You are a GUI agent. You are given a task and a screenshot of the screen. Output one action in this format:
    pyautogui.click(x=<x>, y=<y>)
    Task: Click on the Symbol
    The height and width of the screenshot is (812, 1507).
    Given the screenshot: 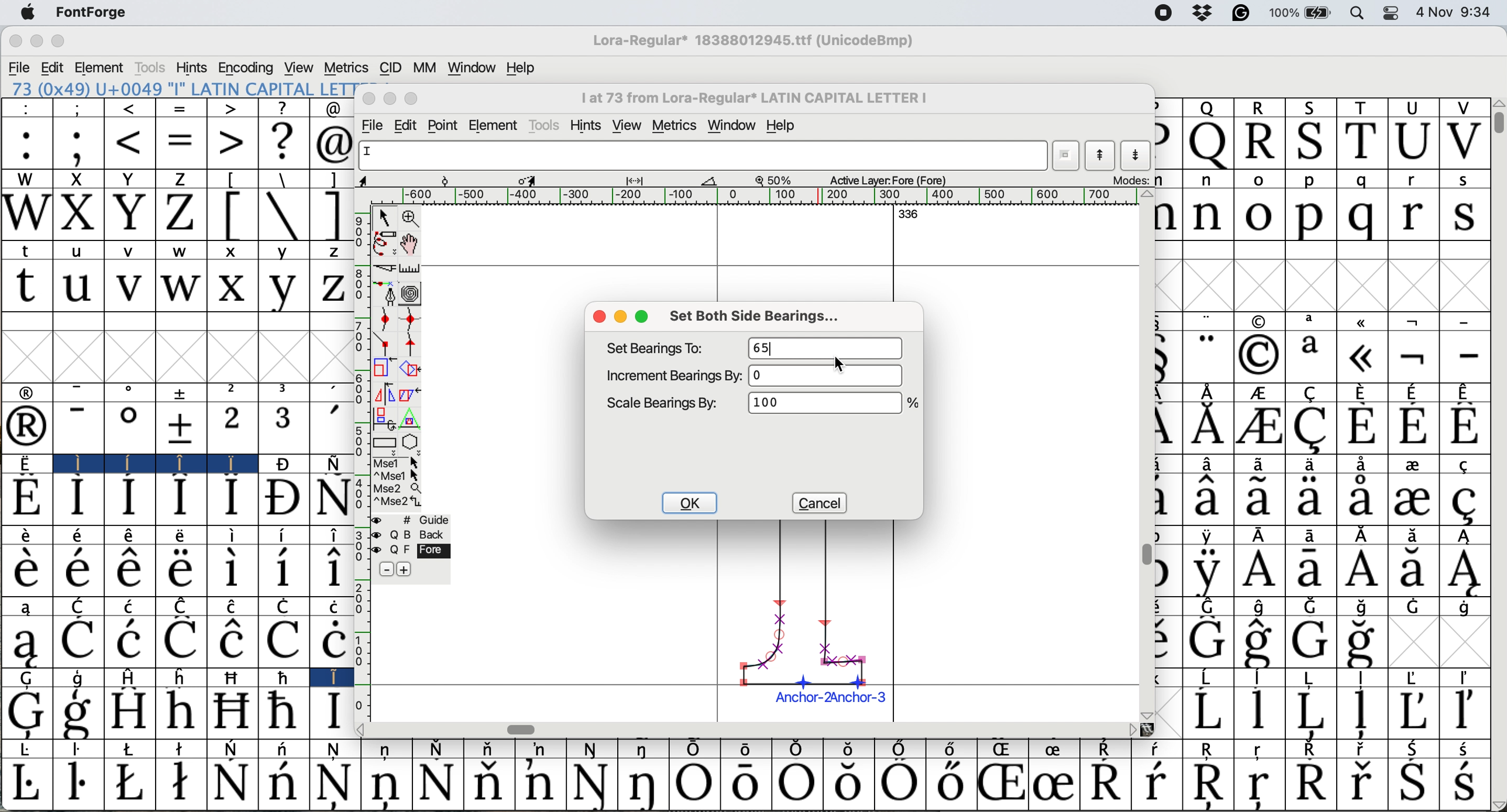 What is the action you would take?
    pyautogui.click(x=1206, y=711)
    